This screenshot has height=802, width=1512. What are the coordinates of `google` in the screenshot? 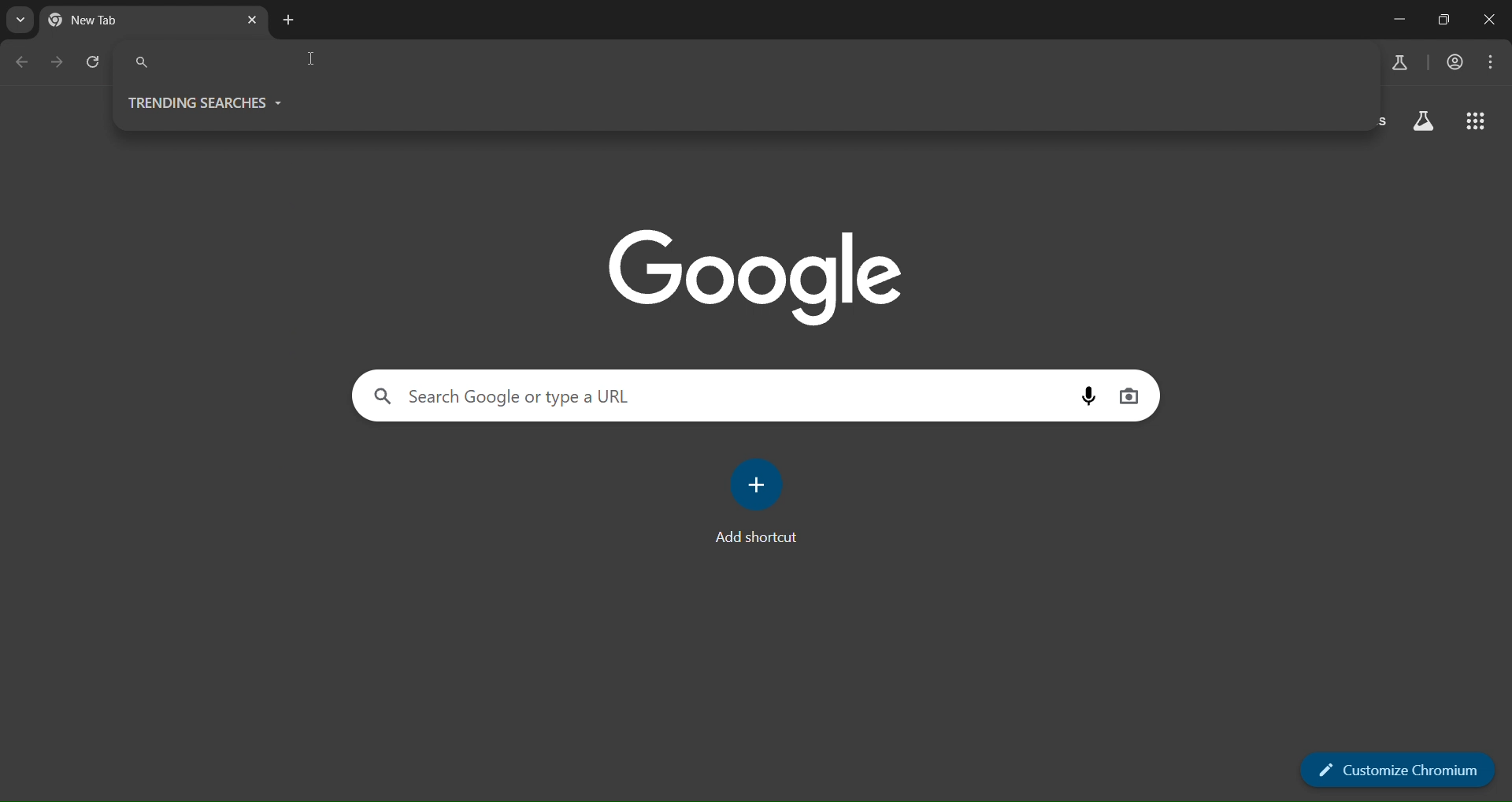 It's located at (752, 274).